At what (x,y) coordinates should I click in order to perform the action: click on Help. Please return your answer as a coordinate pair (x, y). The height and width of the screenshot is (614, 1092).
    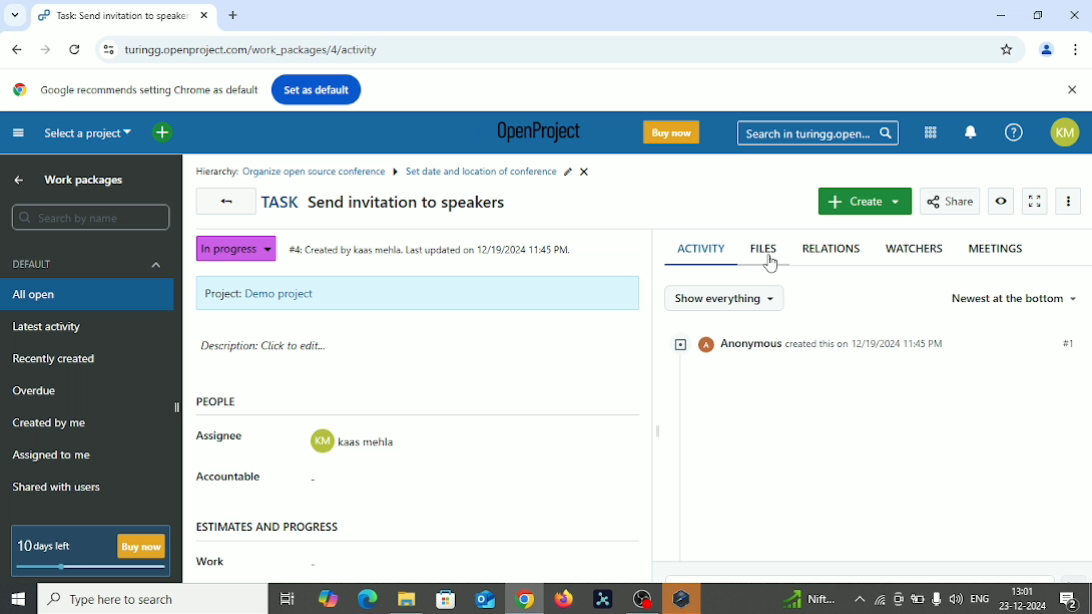
    Looking at the image, I should click on (1014, 132).